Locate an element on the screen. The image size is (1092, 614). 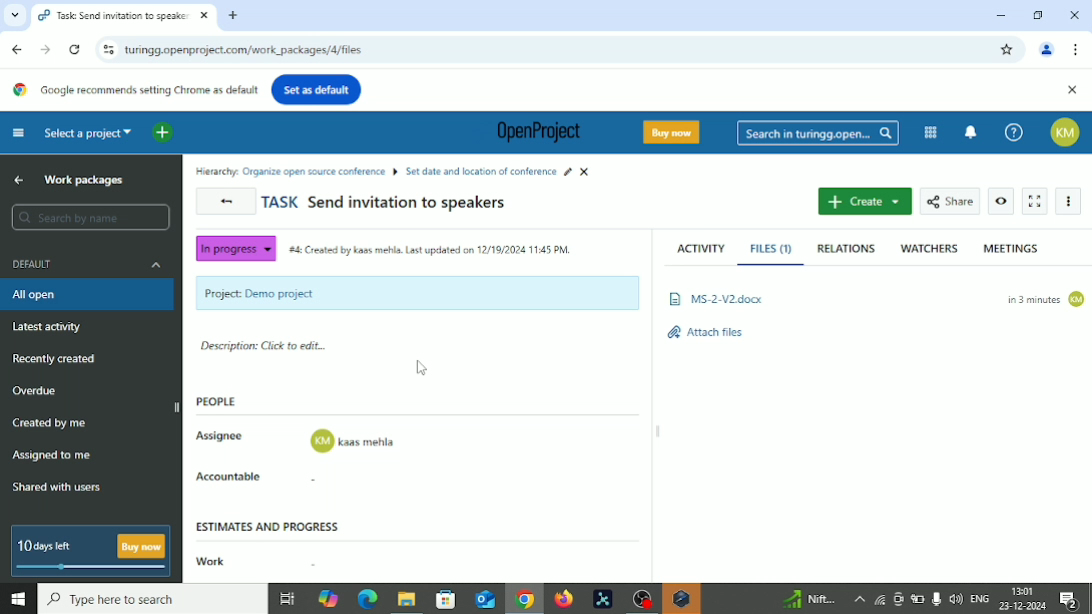
turngg.openproject.com/work_packages/4/activity is located at coordinates (250, 51).